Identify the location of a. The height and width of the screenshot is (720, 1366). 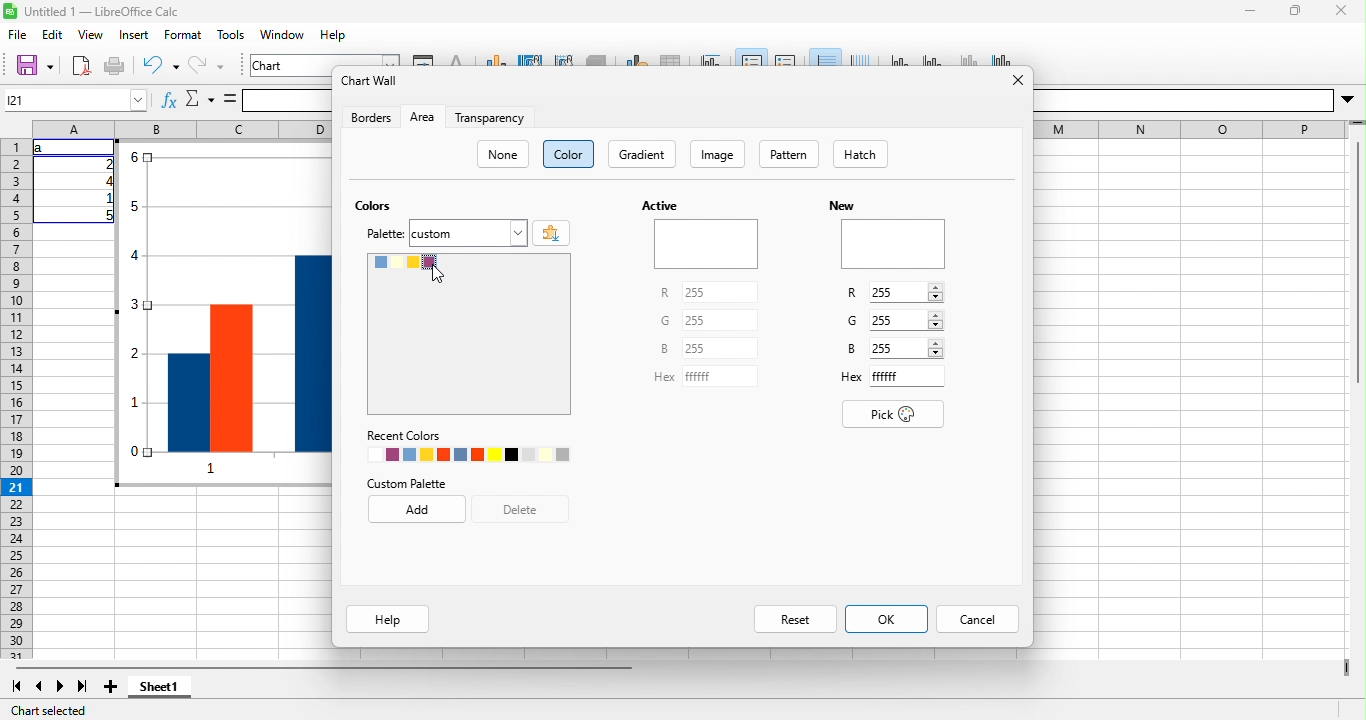
(42, 148).